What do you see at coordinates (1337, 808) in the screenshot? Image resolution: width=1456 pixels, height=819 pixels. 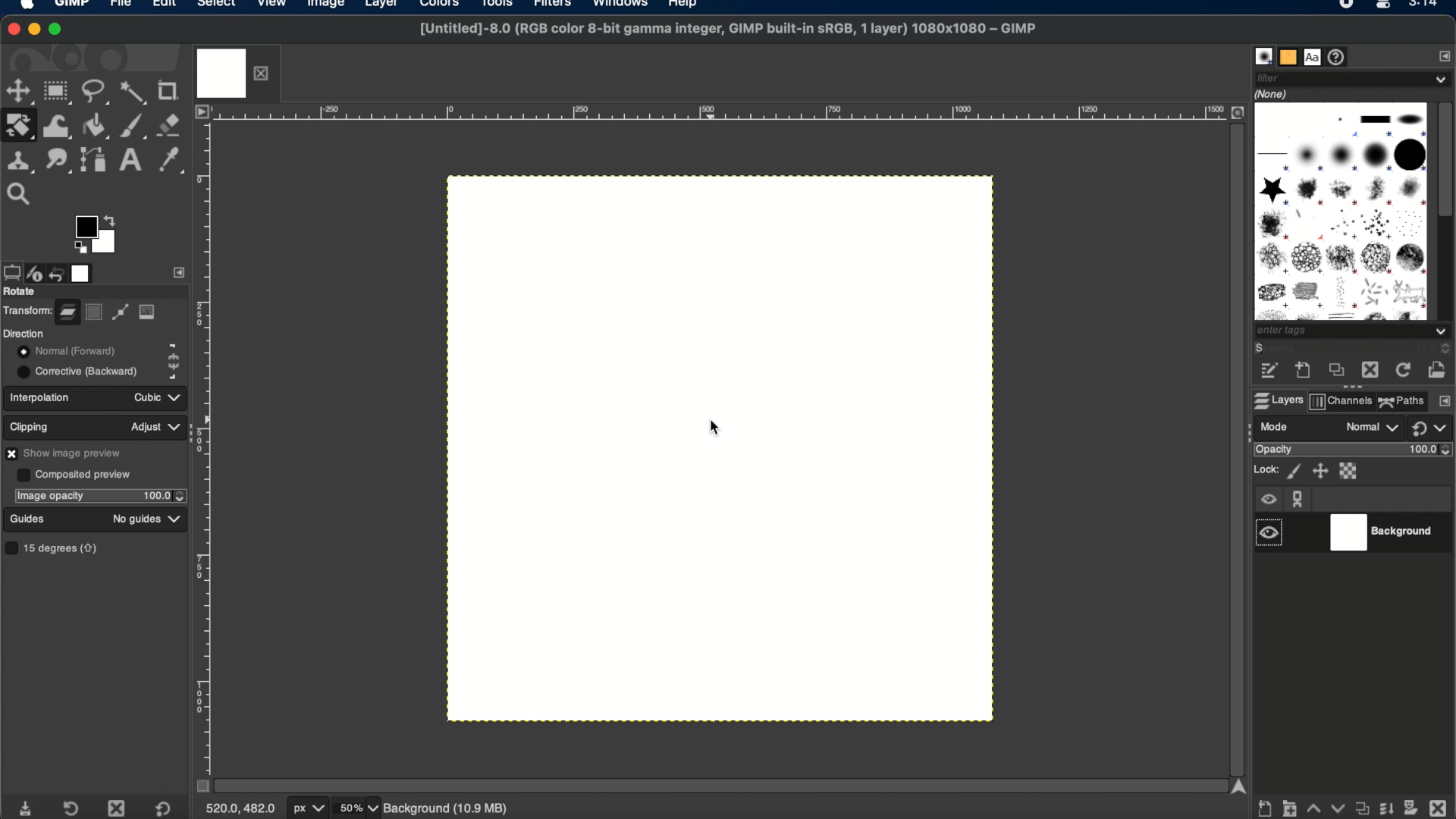 I see `lower this layer` at bounding box center [1337, 808].